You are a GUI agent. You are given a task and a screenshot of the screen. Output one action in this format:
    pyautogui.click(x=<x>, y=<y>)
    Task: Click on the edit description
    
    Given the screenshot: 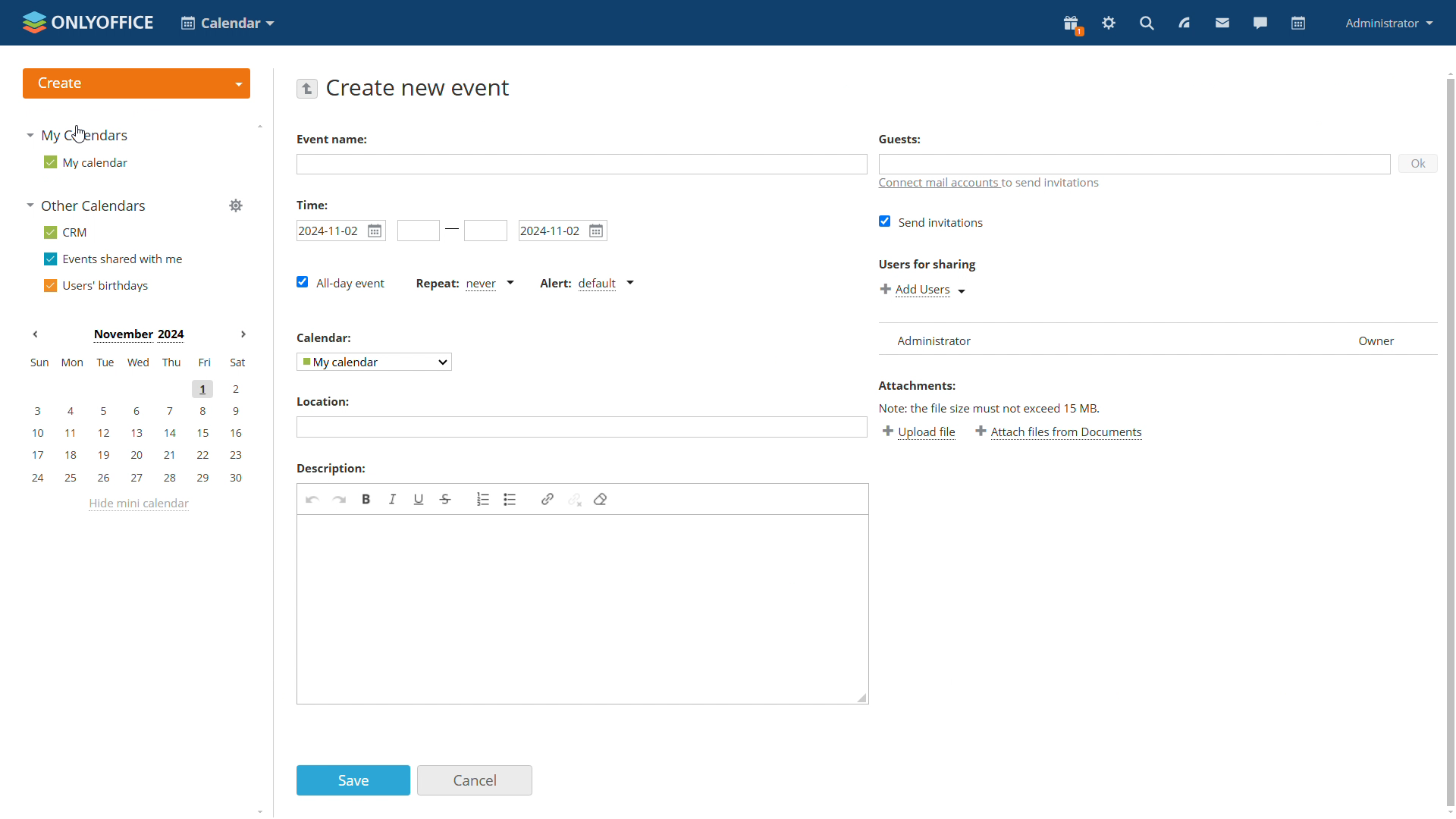 What is the action you would take?
    pyautogui.click(x=585, y=610)
    